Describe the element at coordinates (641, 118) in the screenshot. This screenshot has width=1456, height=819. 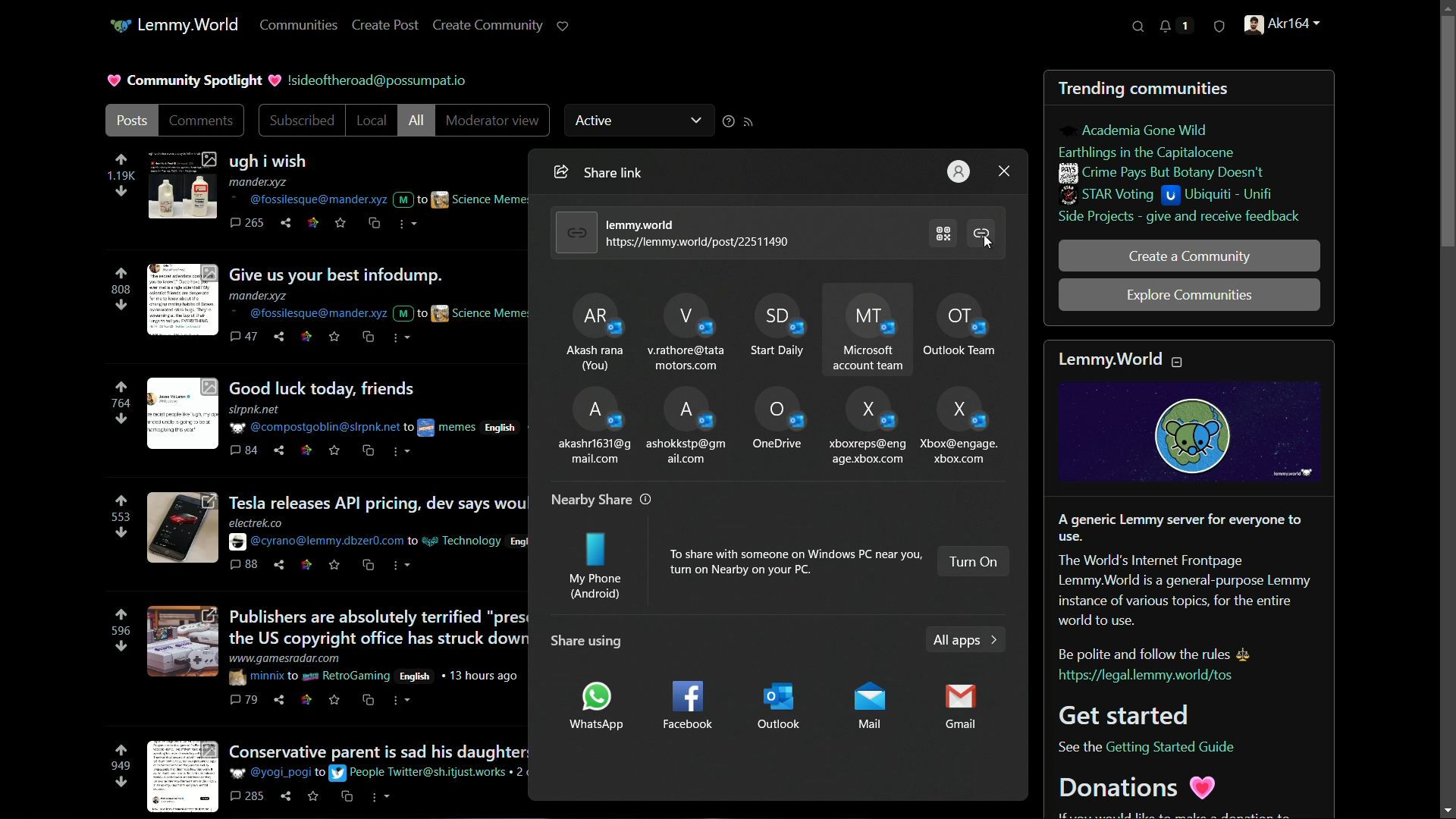
I see `active` at that location.